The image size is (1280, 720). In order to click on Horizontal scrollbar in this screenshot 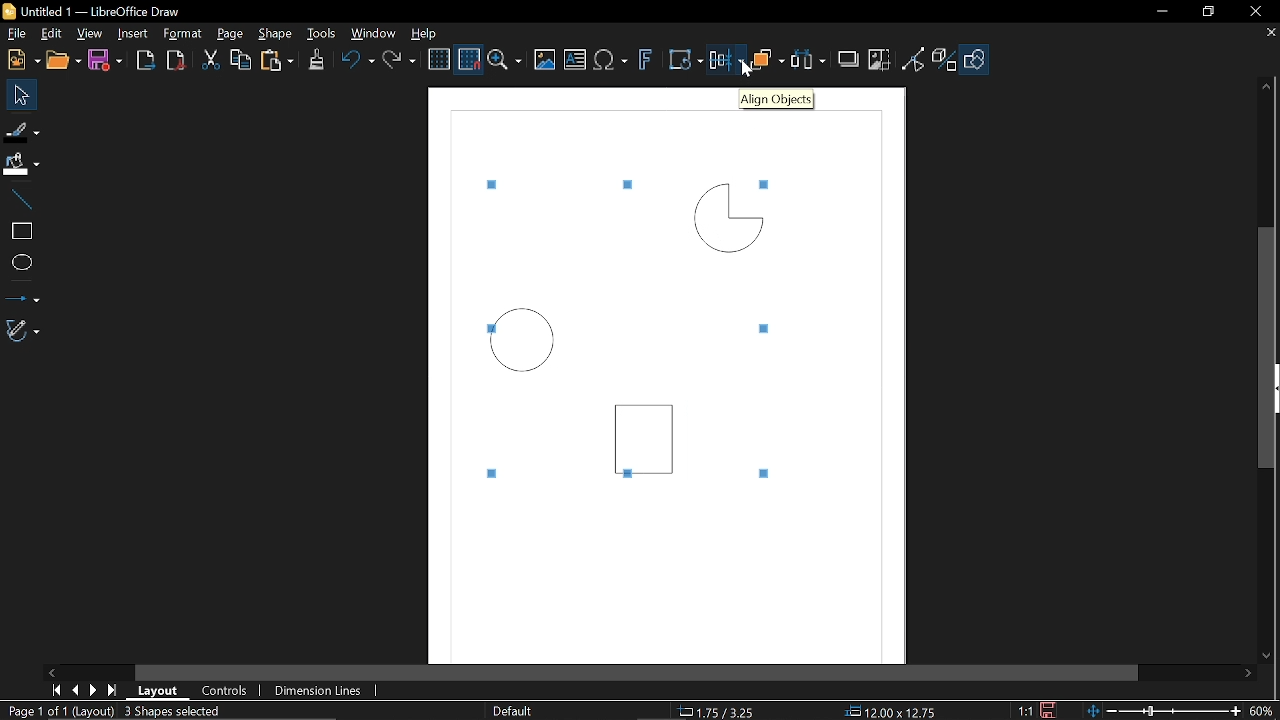, I will do `click(638, 670)`.